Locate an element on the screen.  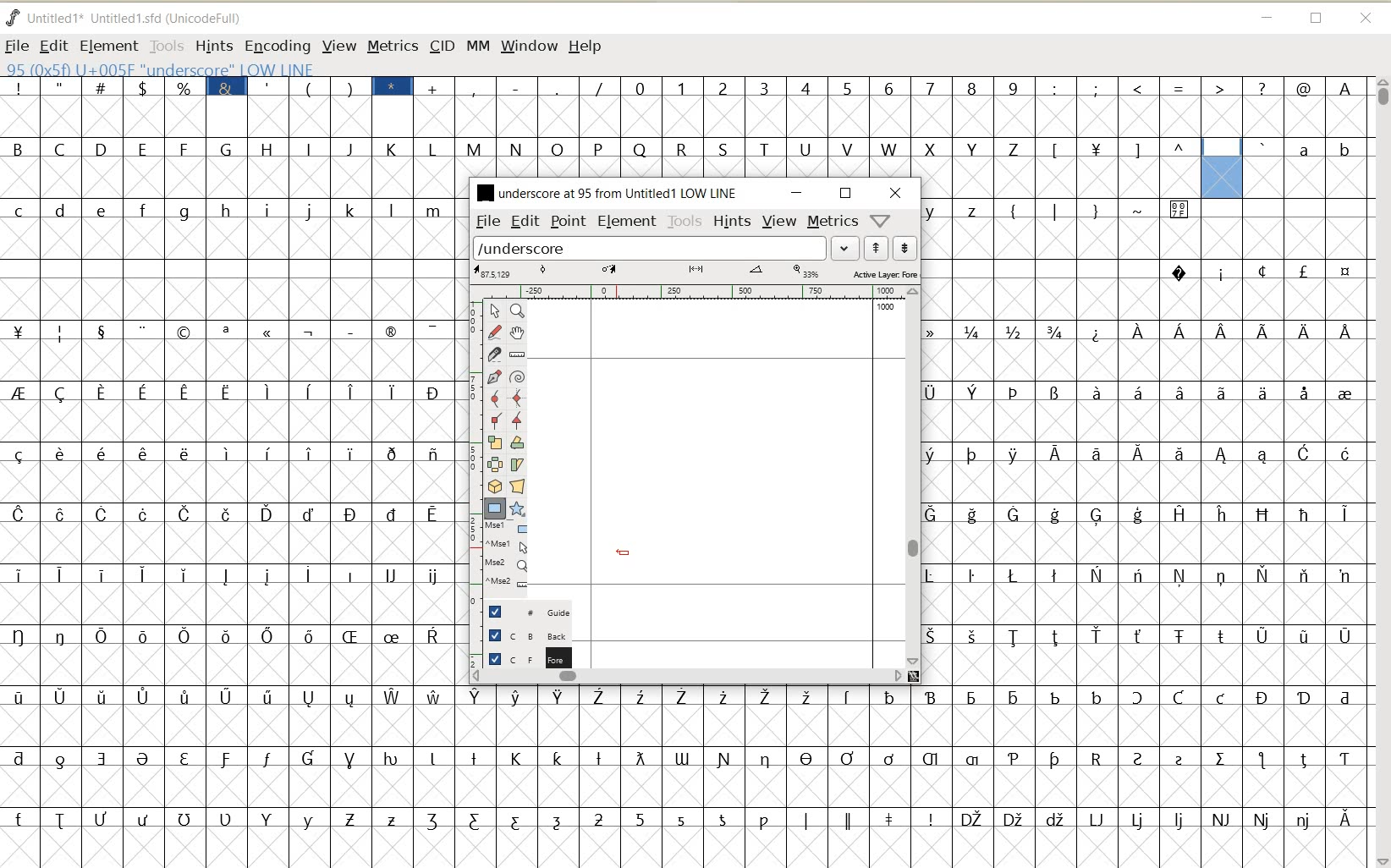
BACKGROUND is located at coordinates (522, 635).